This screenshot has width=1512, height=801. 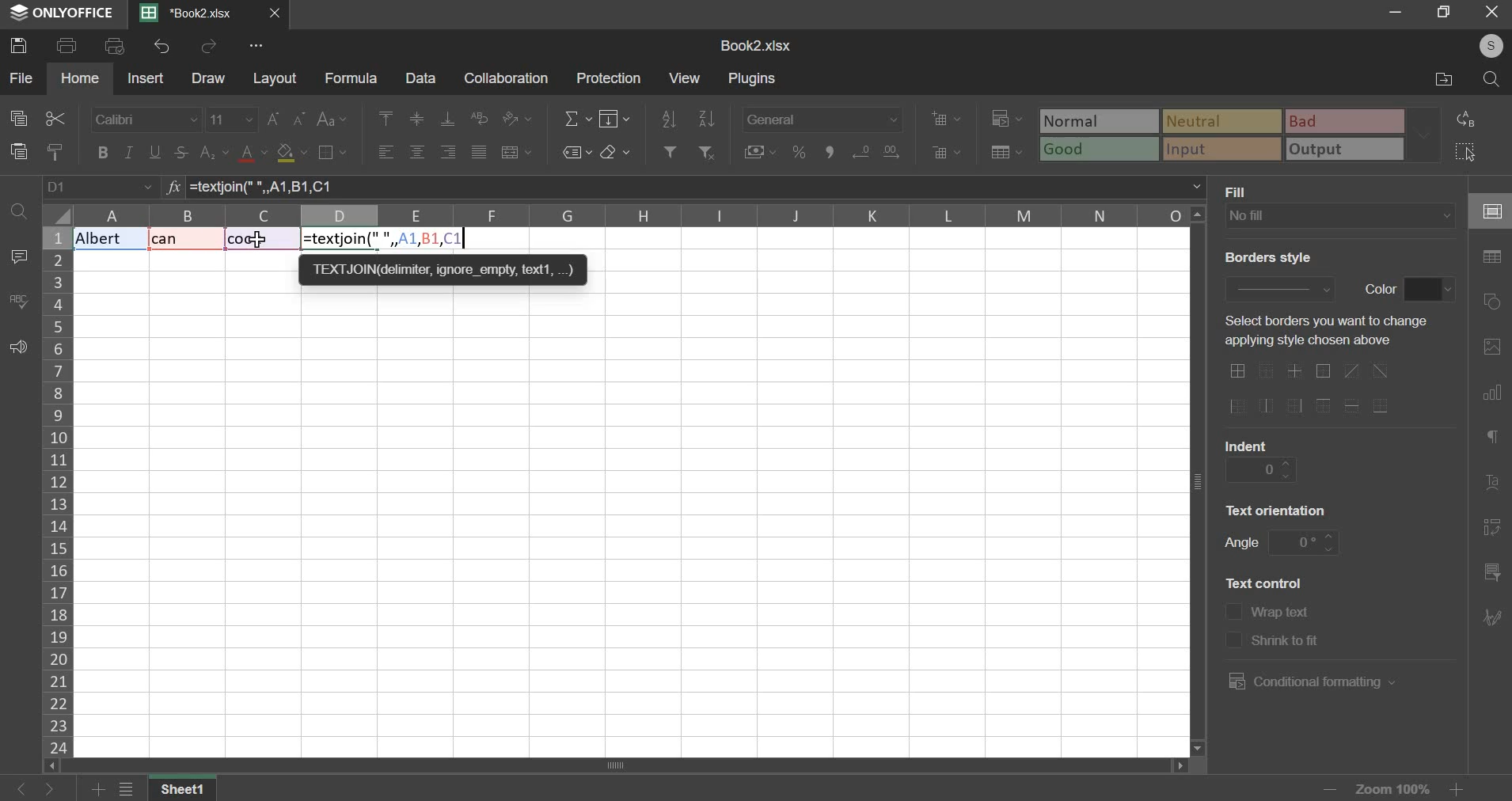 I want to click on named ranges, so click(x=576, y=152).